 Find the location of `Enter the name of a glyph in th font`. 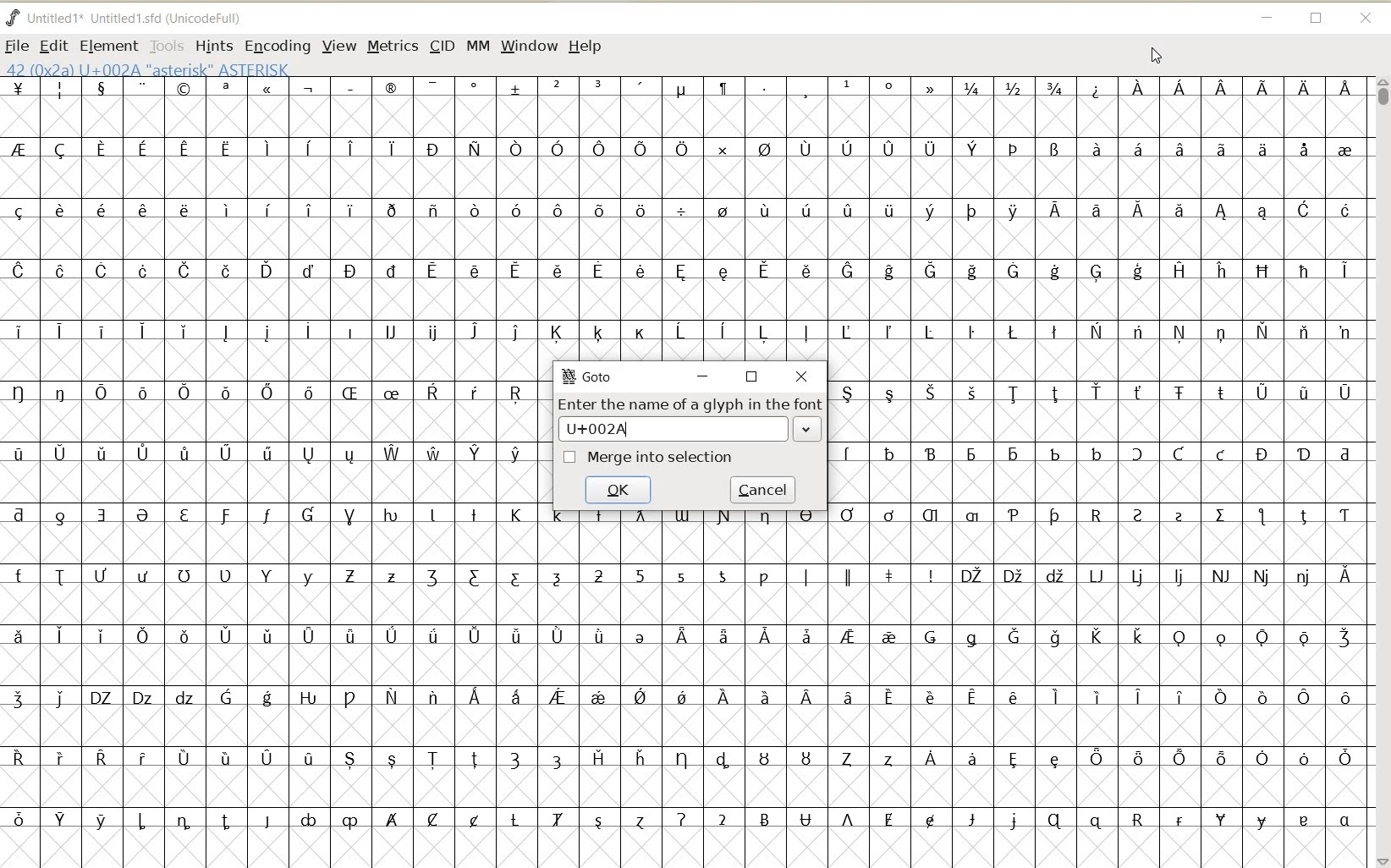

Enter the name of a glyph in th font is located at coordinates (690, 404).